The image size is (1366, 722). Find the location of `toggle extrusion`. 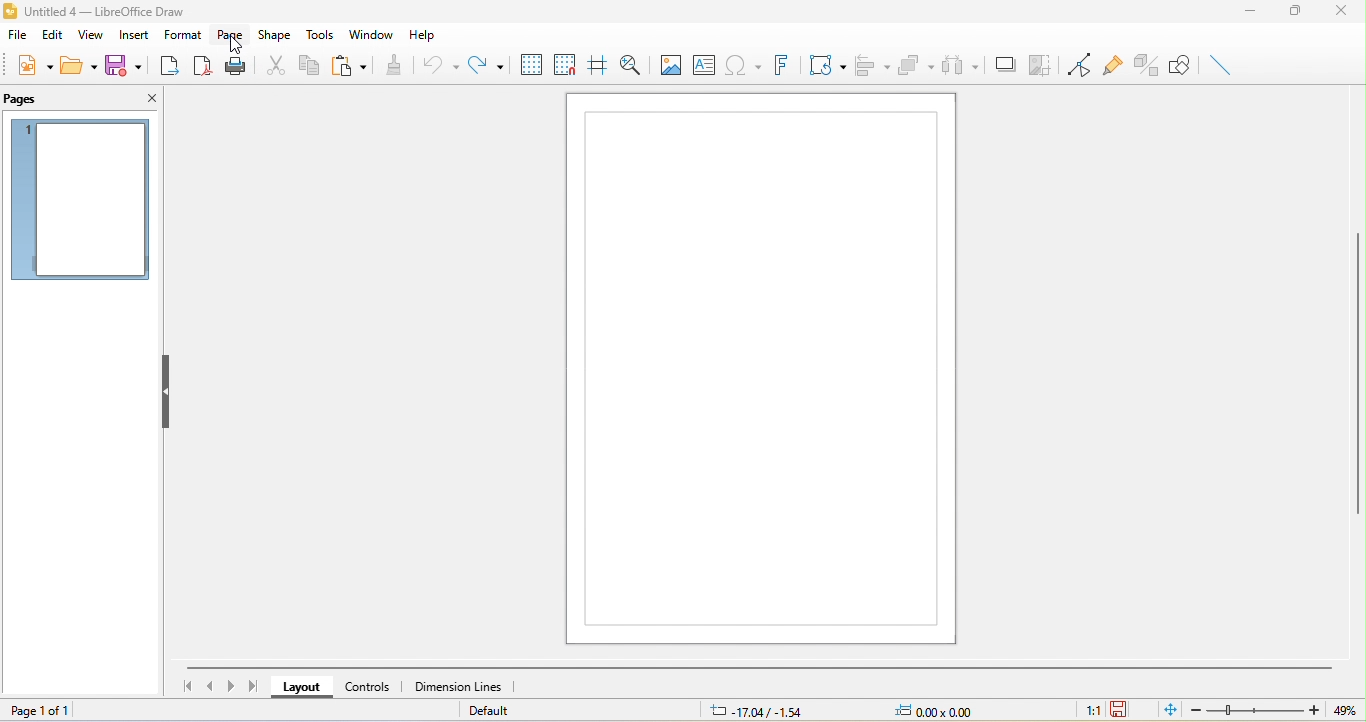

toggle extrusion is located at coordinates (1144, 64).